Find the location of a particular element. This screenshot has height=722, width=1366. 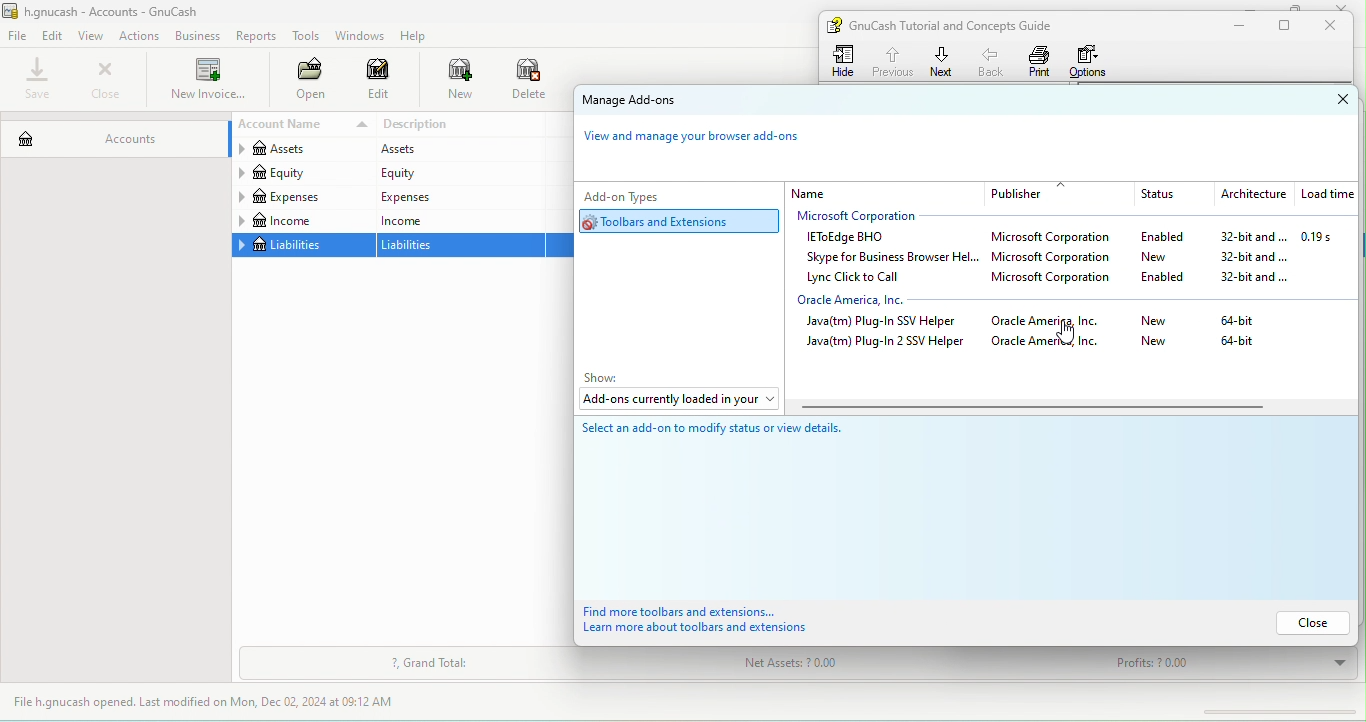

architecture is located at coordinates (1251, 195).